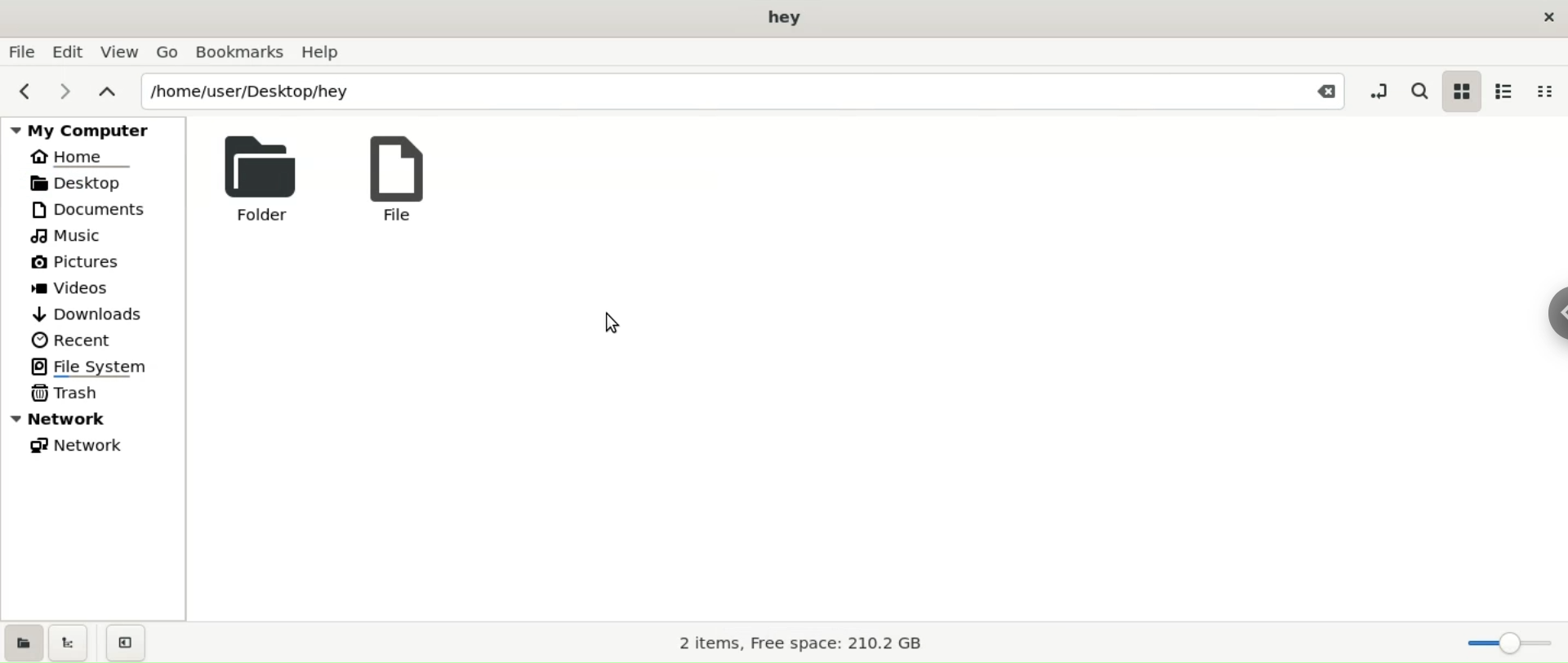  What do you see at coordinates (1417, 90) in the screenshot?
I see `search` at bounding box center [1417, 90].